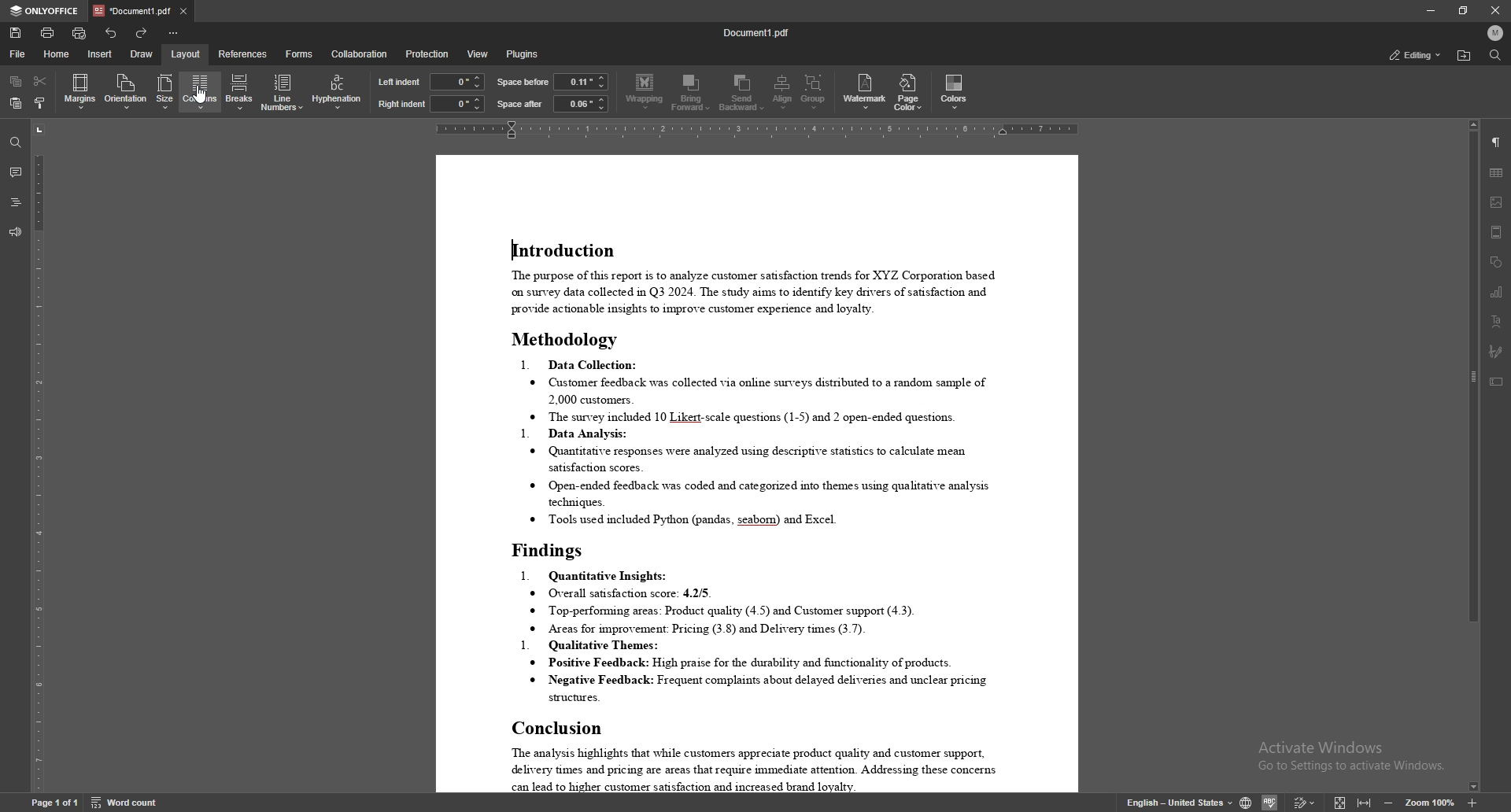  What do you see at coordinates (1366, 802) in the screenshot?
I see `fit to width` at bounding box center [1366, 802].